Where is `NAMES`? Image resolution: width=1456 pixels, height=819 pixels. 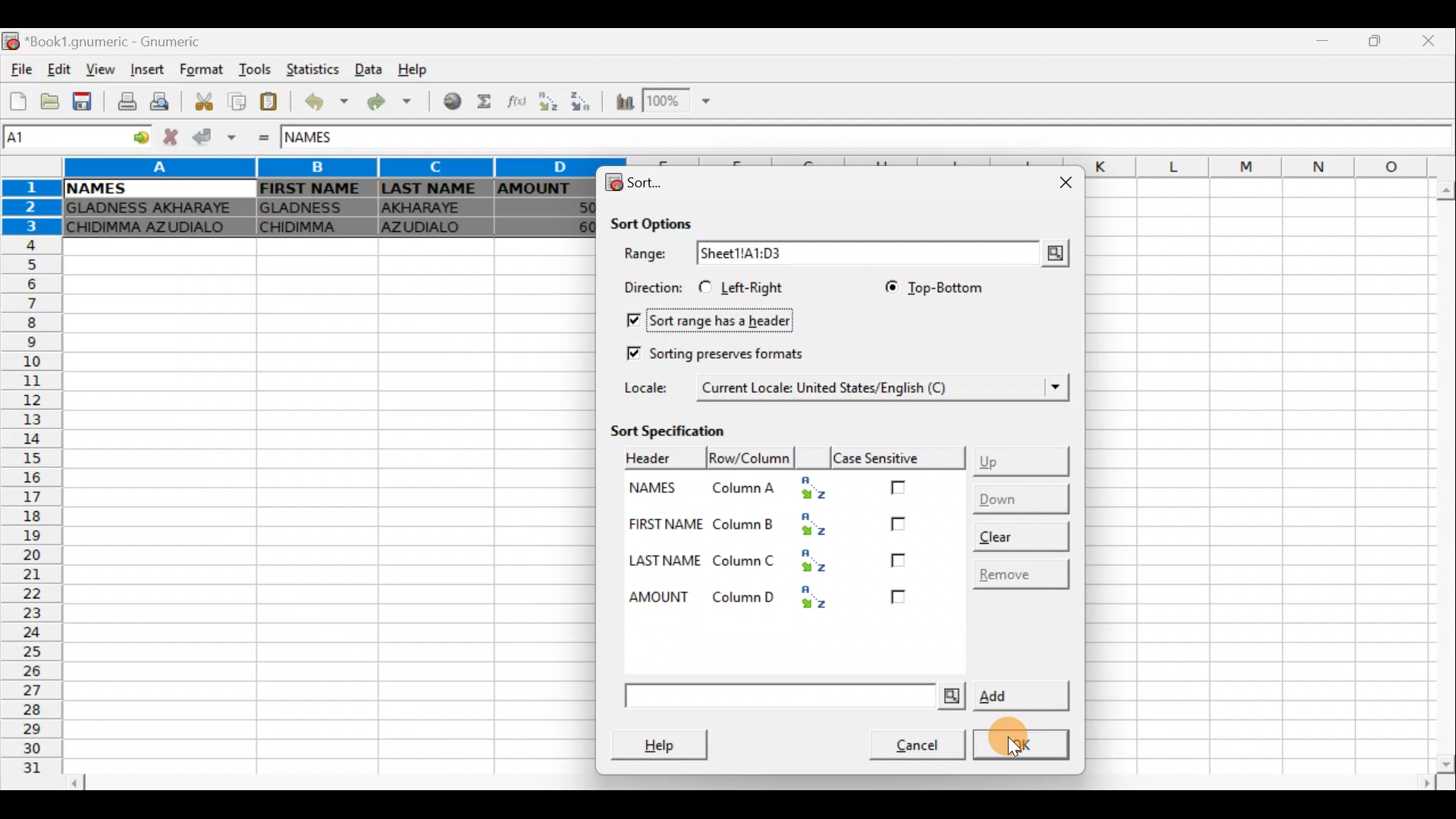
NAMES is located at coordinates (95, 189).